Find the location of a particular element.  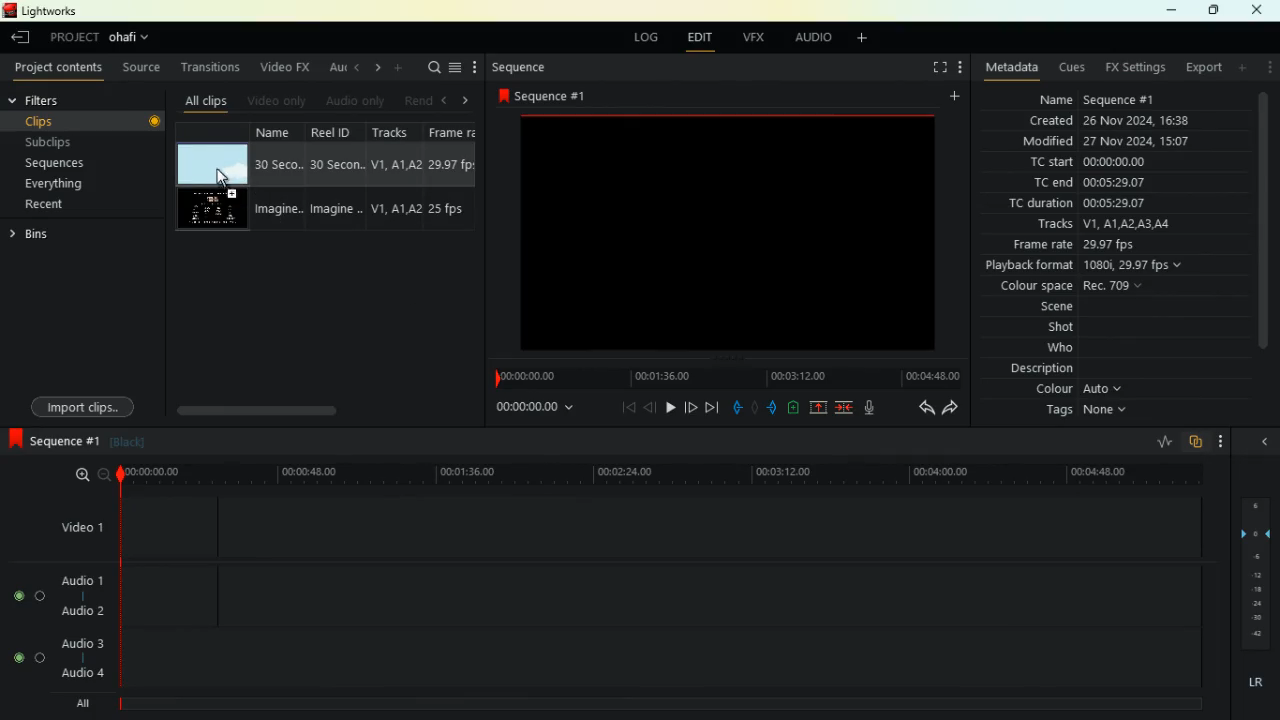

import clips is located at coordinates (78, 406).